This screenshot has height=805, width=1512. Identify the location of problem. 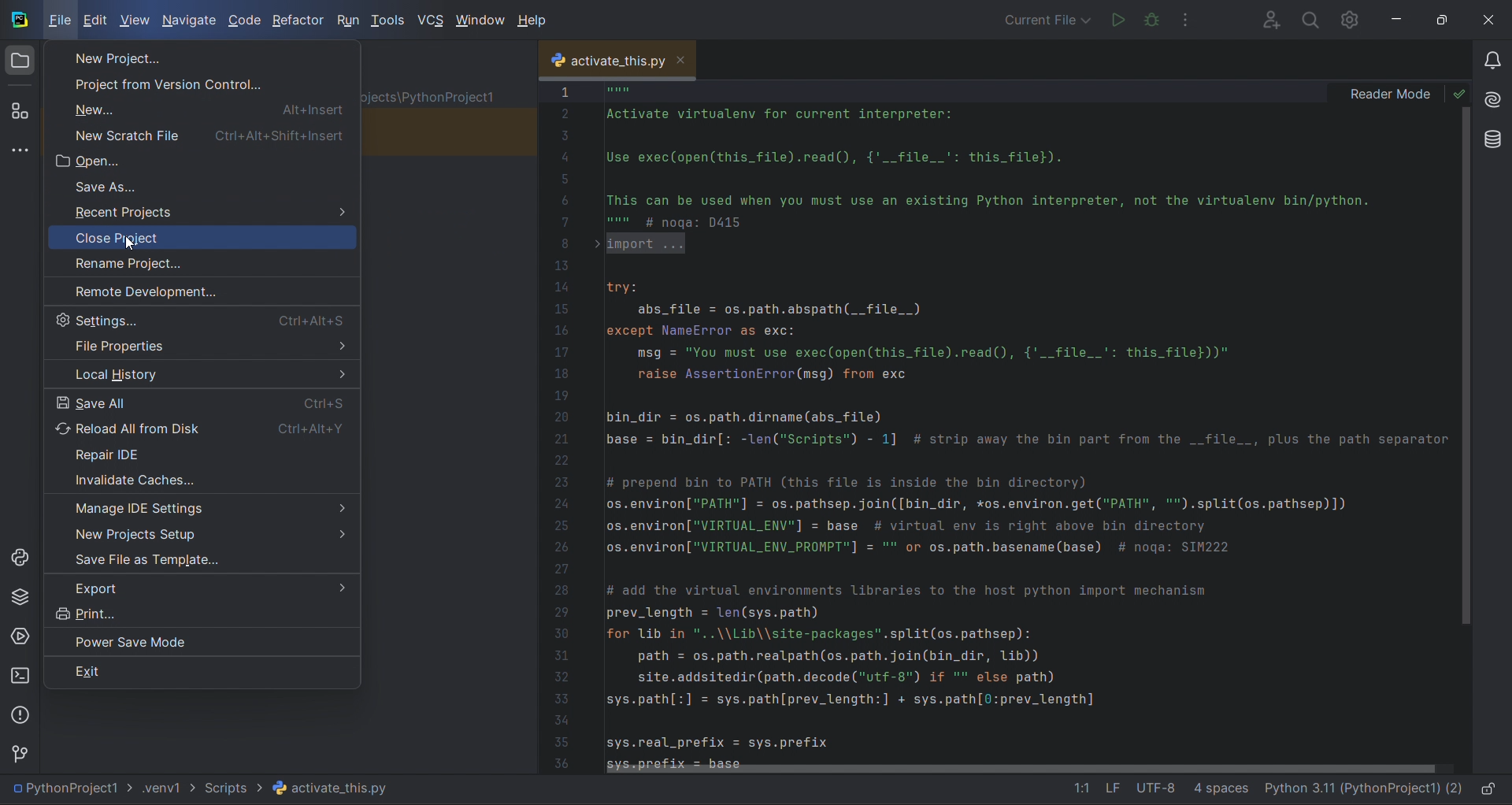
(19, 717).